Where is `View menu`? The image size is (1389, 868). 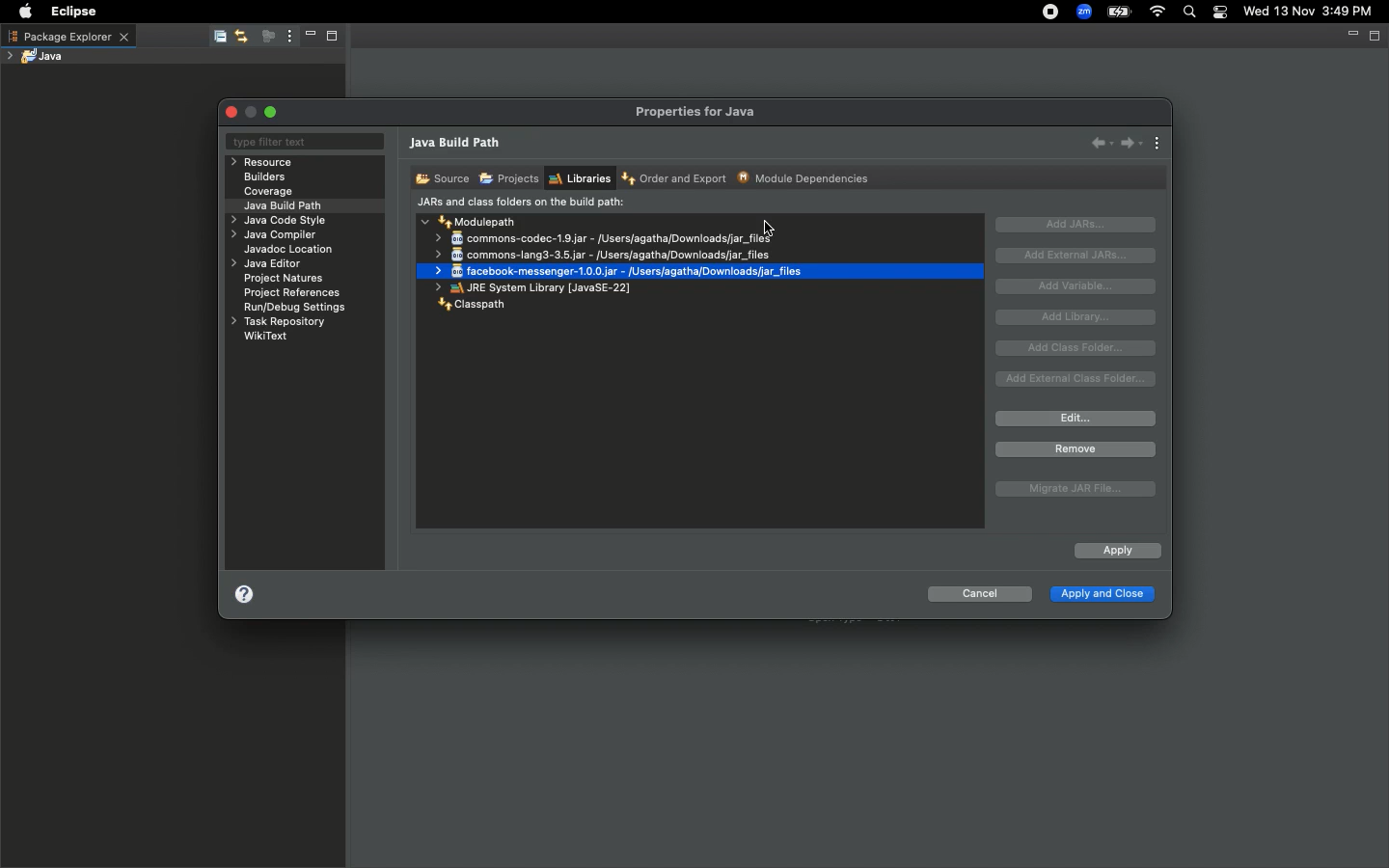
View menu is located at coordinates (1158, 145).